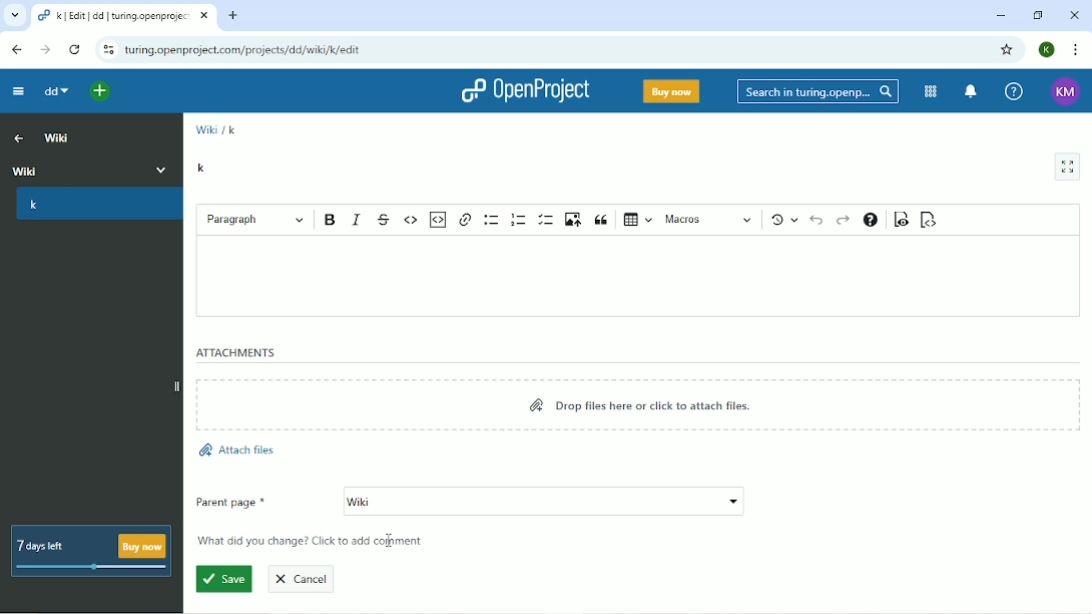 Image resolution: width=1092 pixels, height=614 pixels. Describe the element at coordinates (233, 129) in the screenshot. I see `k` at that location.